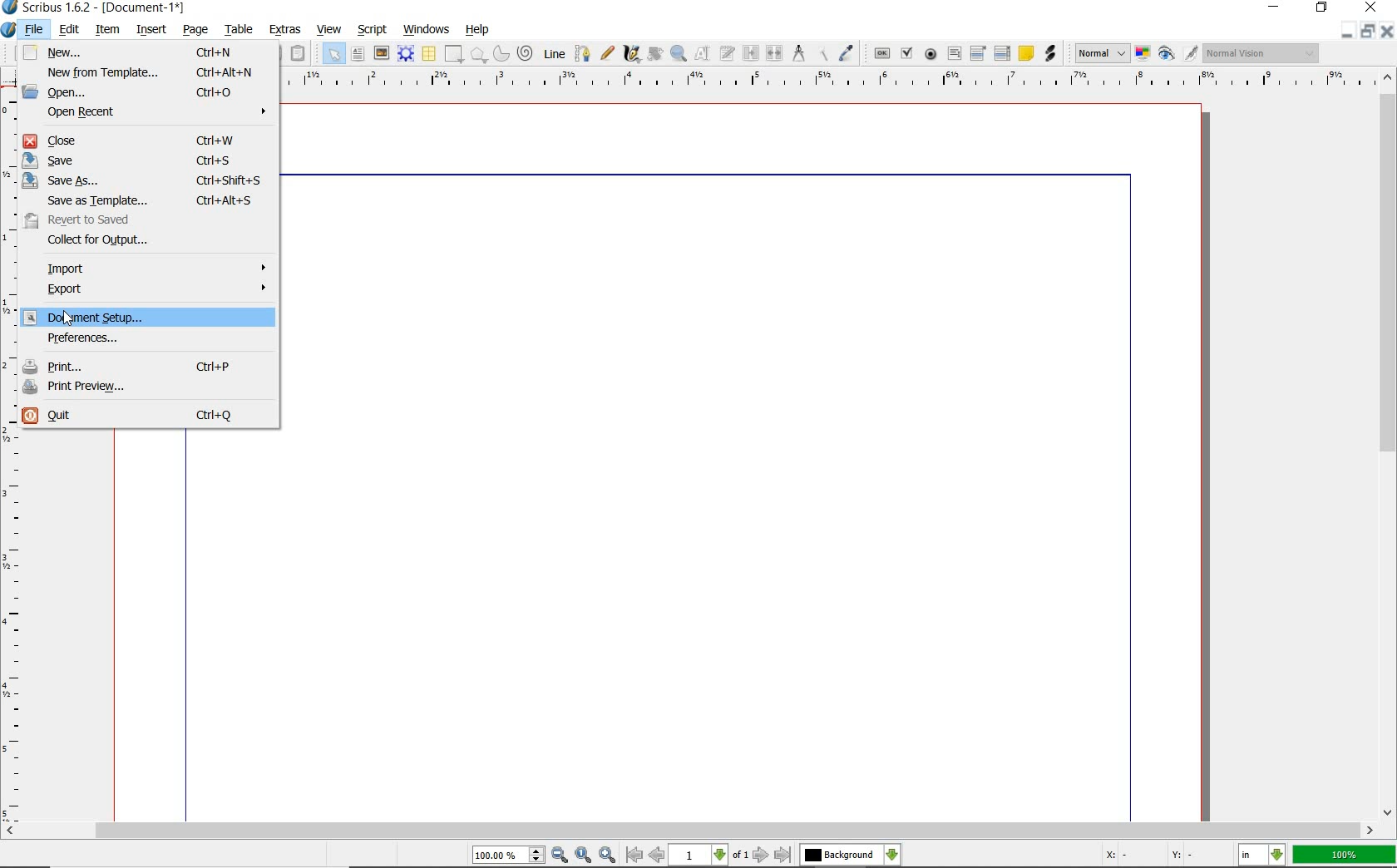 The width and height of the screenshot is (1397, 868). What do you see at coordinates (606, 52) in the screenshot?
I see `freehand line` at bounding box center [606, 52].